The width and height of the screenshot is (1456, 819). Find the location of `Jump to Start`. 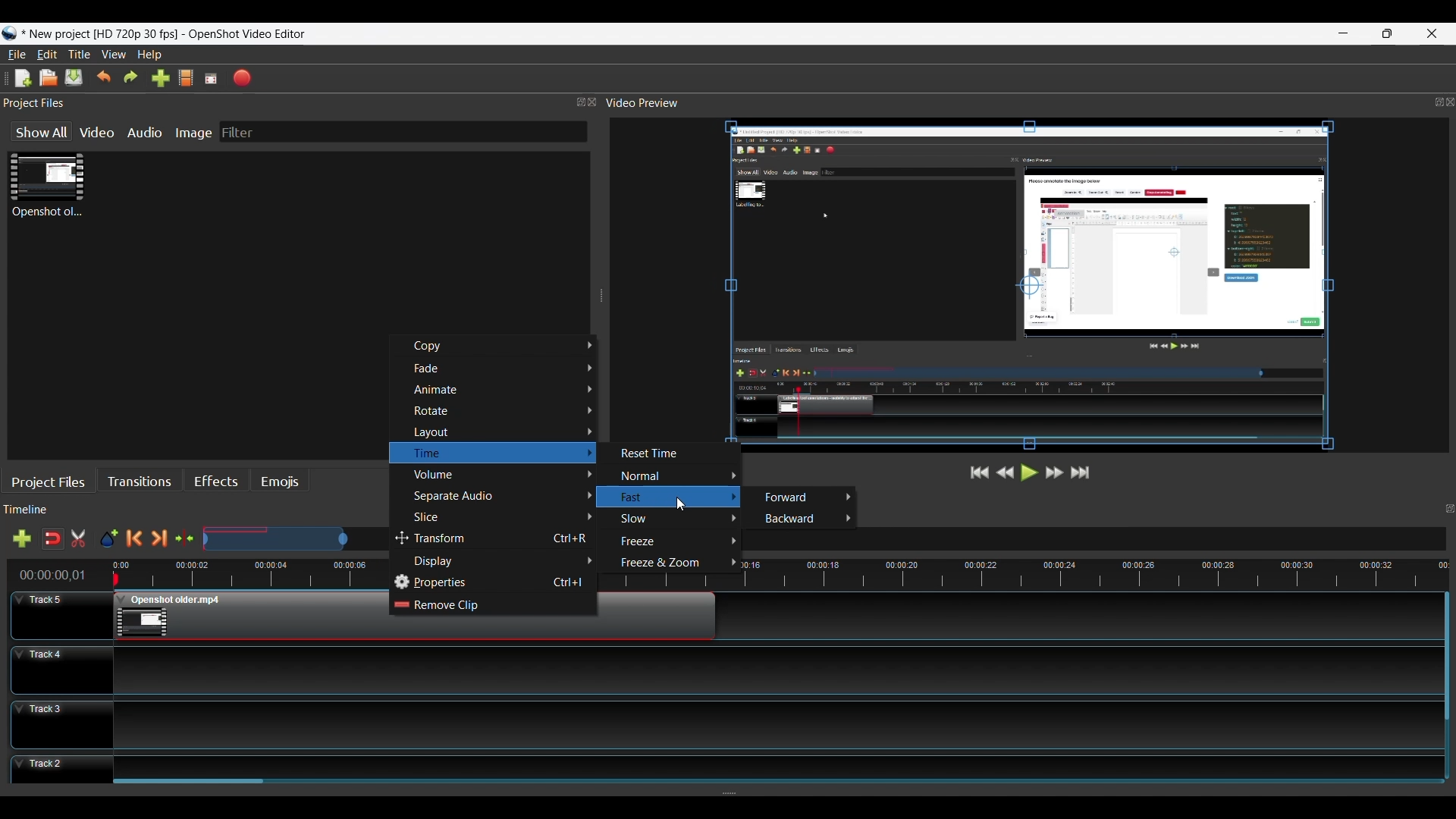

Jump to Start is located at coordinates (977, 472).